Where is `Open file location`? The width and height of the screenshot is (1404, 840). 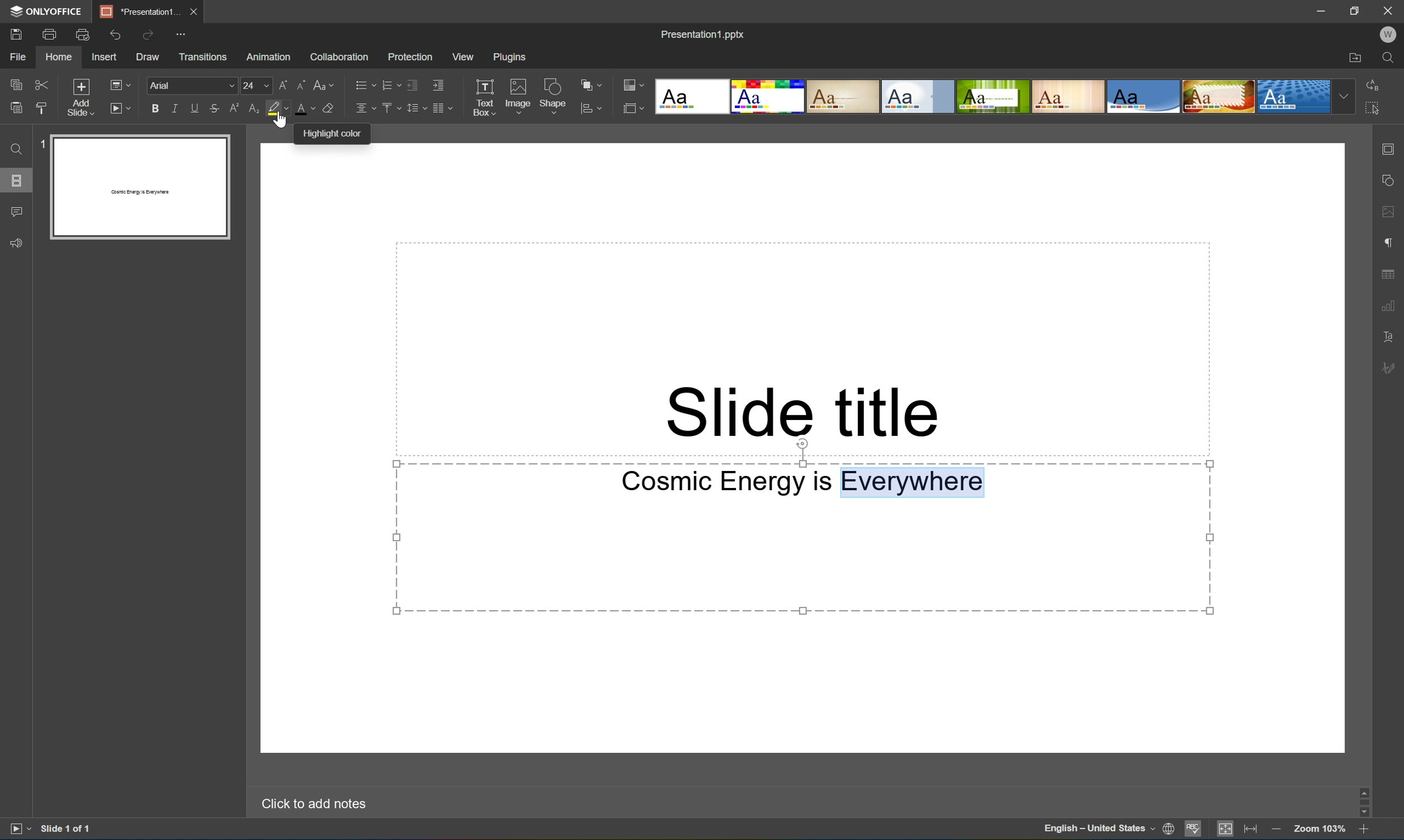 Open file location is located at coordinates (1355, 57).